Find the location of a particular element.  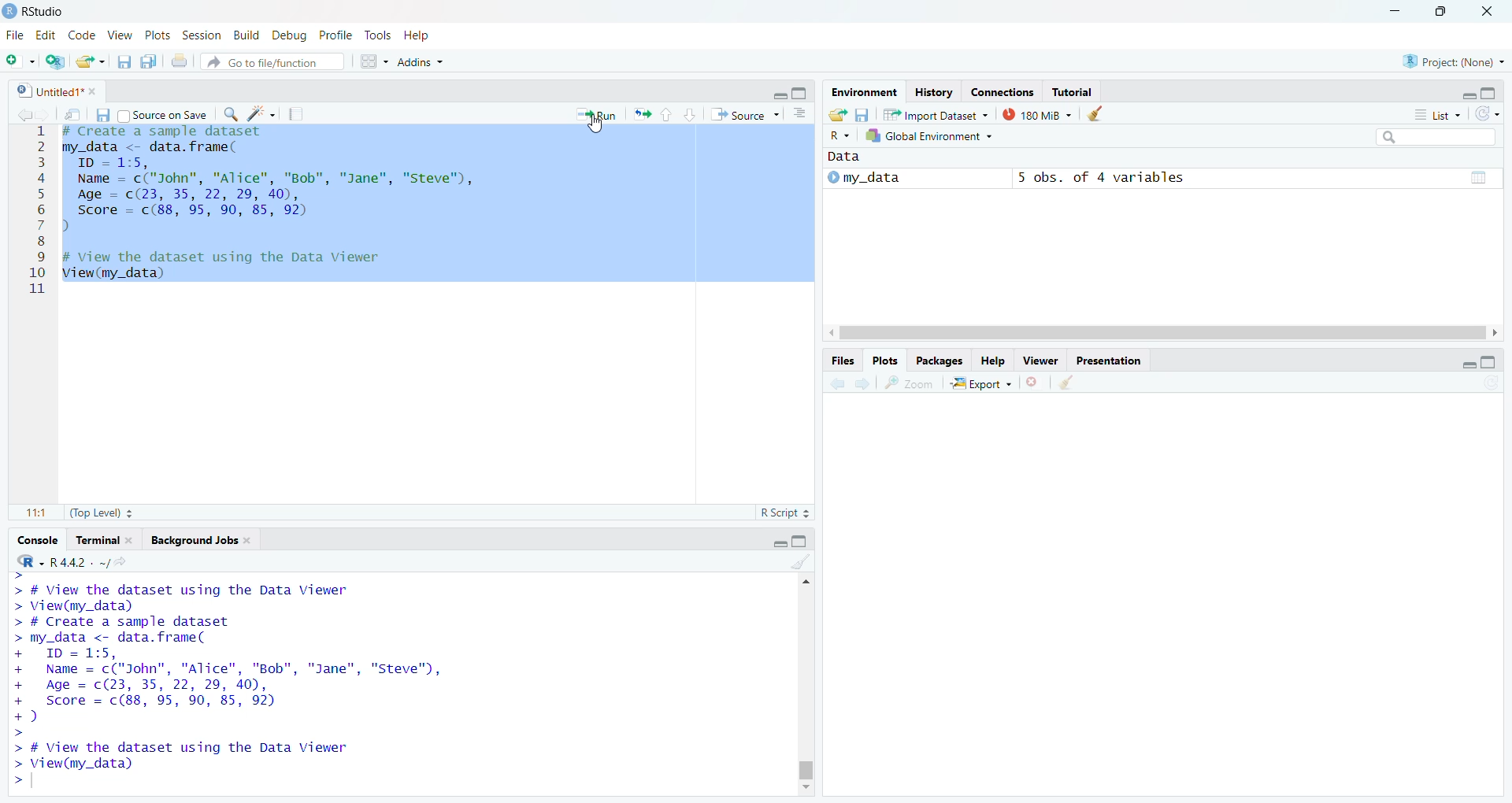

Maximize is located at coordinates (800, 94).